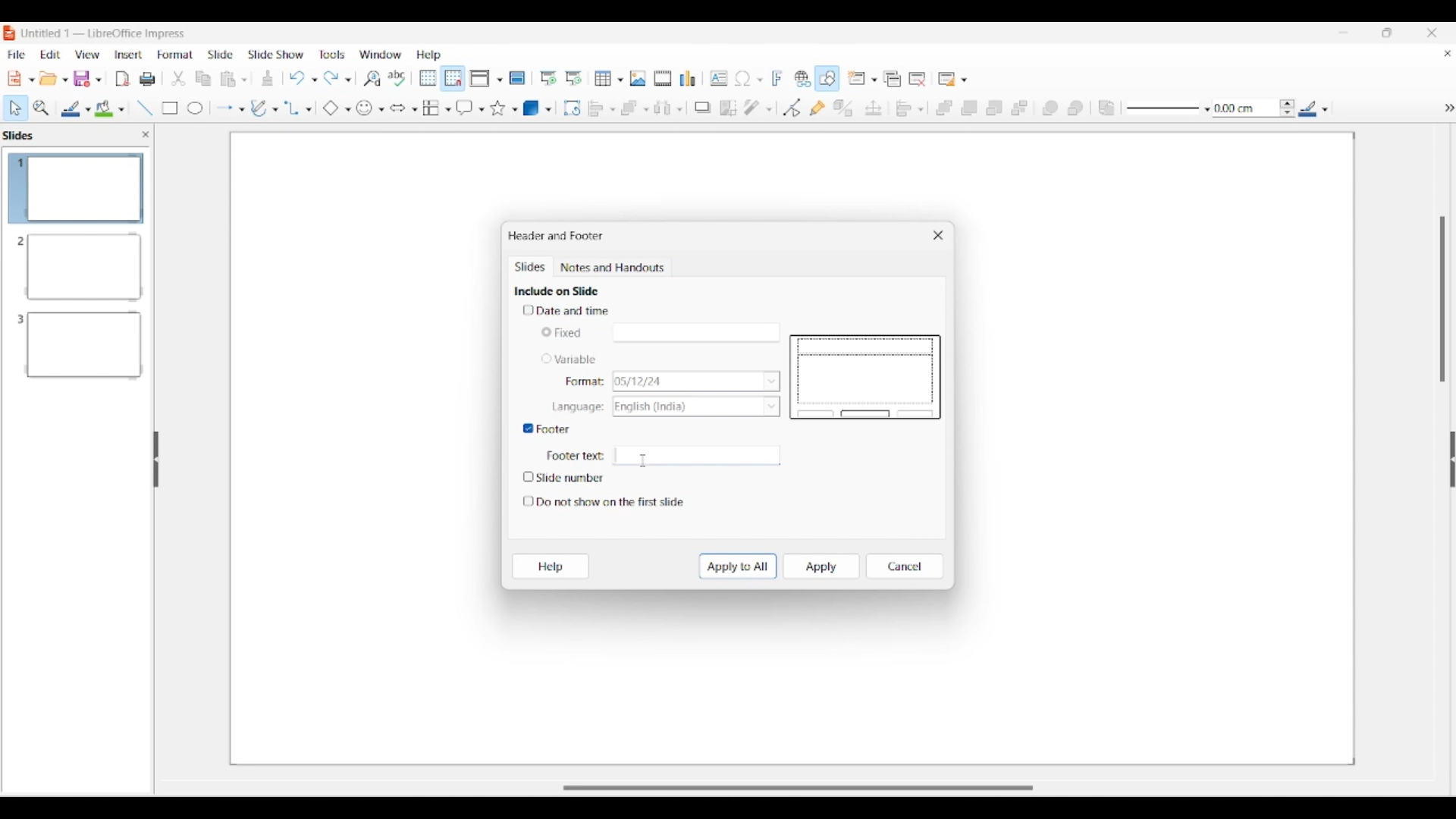 Image resolution: width=1456 pixels, height=819 pixels. Describe the element at coordinates (663, 78) in the screenshot. I see `Insert audio/video` at that location.